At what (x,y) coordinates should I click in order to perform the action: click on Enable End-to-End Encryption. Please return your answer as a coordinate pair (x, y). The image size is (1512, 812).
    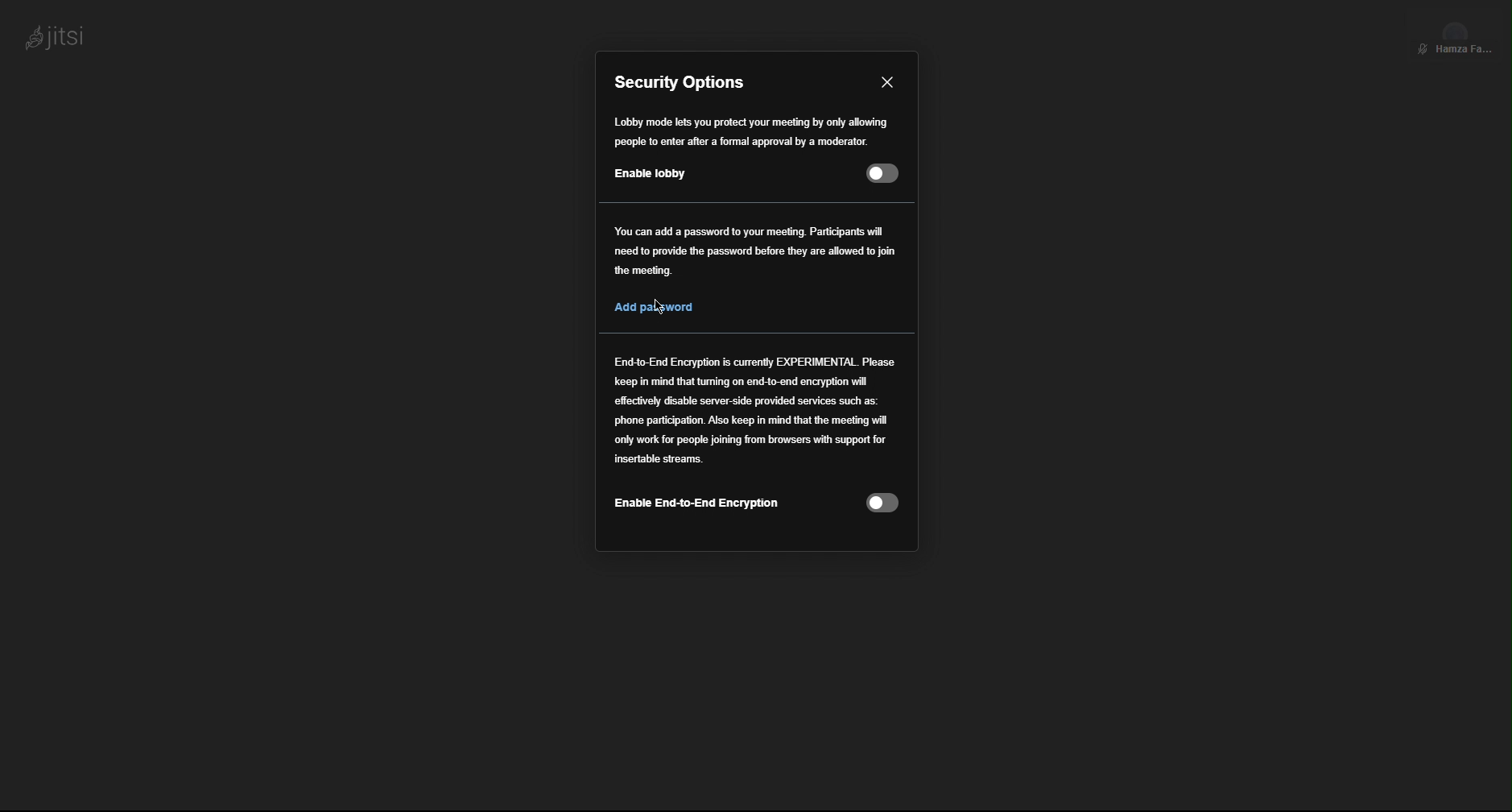
    Looking at the image, I should click on (758, 505).